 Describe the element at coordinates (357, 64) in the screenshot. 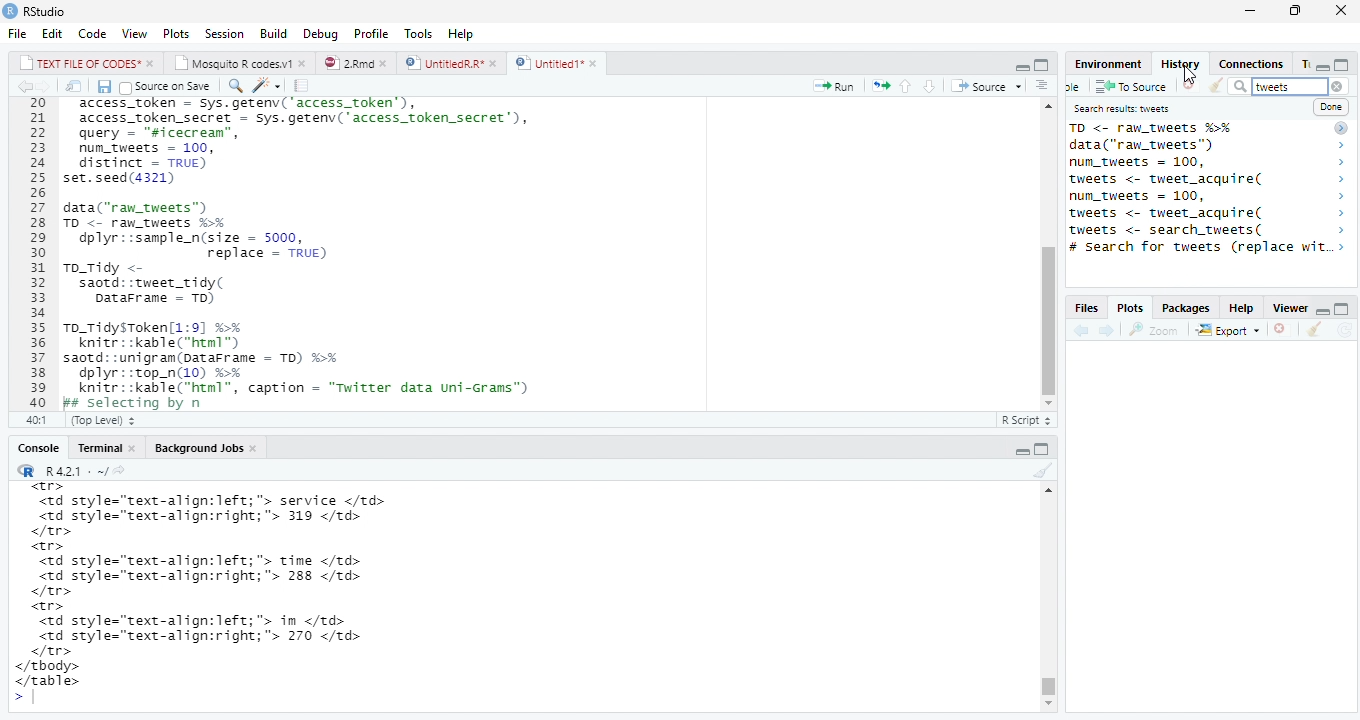

I see `© 2”md` at that location.